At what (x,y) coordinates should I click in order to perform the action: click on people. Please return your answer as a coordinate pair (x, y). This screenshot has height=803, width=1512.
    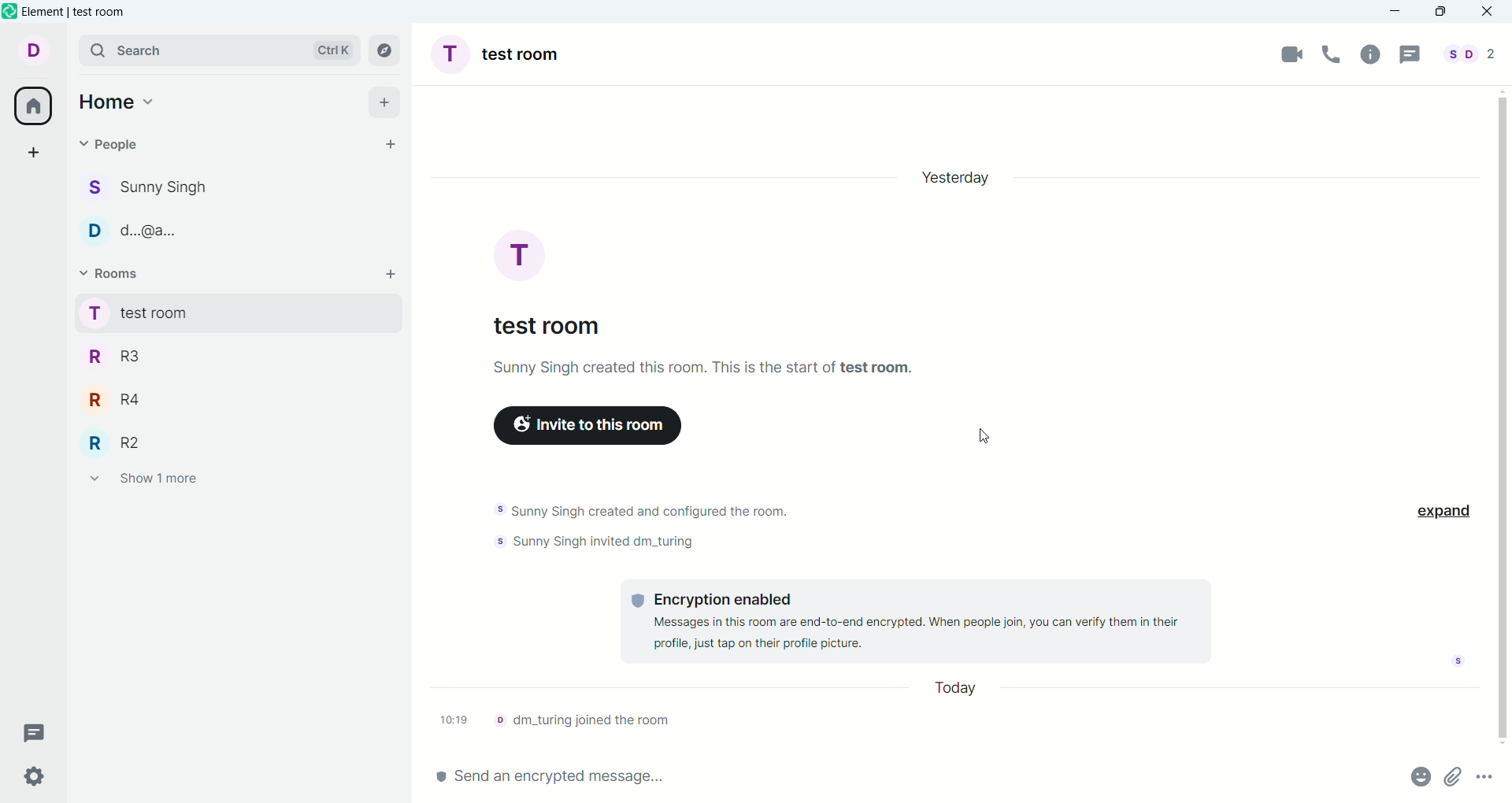
    Looking at the image, I should click on (1473, 54).